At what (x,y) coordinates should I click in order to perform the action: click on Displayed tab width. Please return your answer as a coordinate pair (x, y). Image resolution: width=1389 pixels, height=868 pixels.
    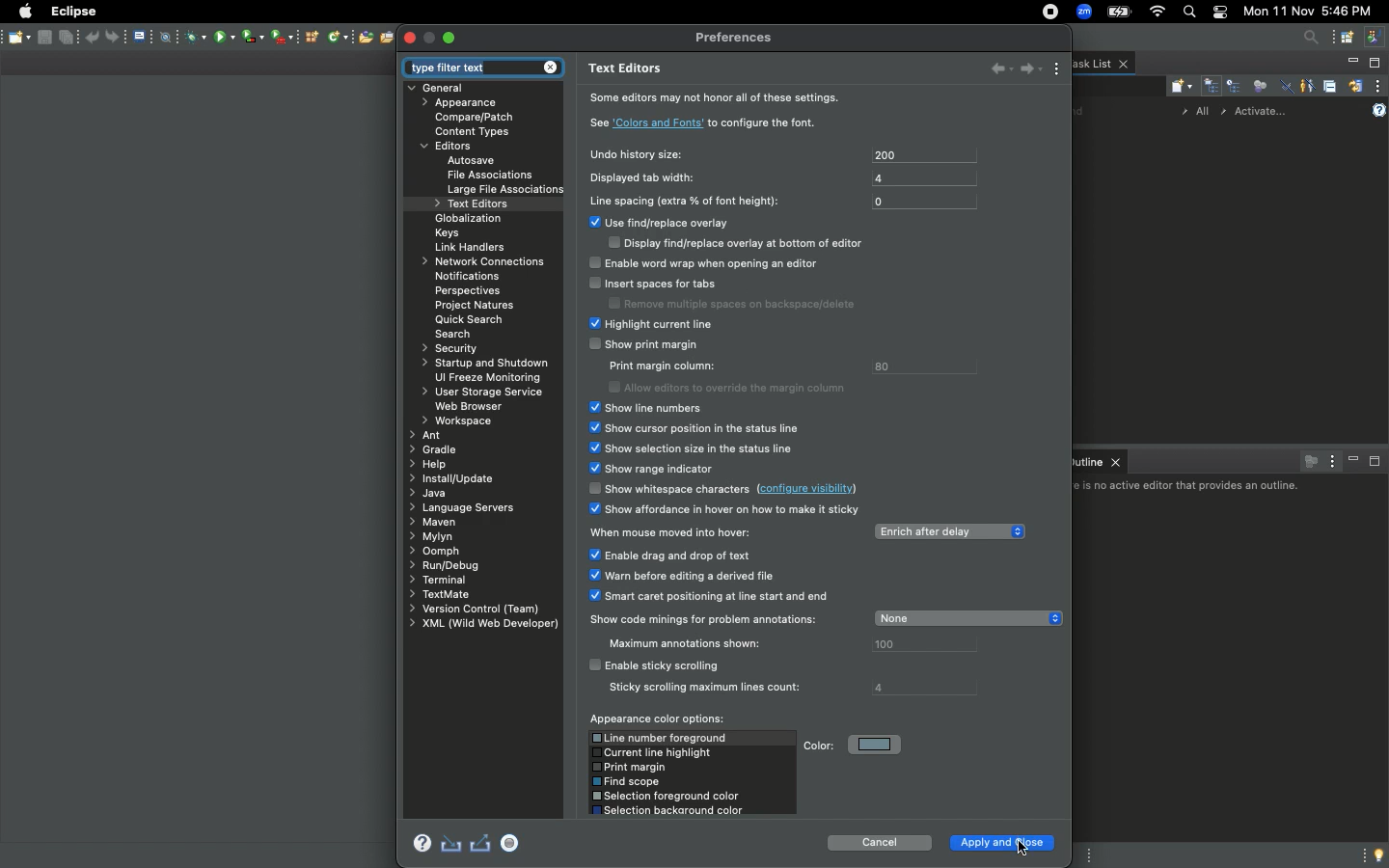
    Looking at the image, I should click on (653, 178).